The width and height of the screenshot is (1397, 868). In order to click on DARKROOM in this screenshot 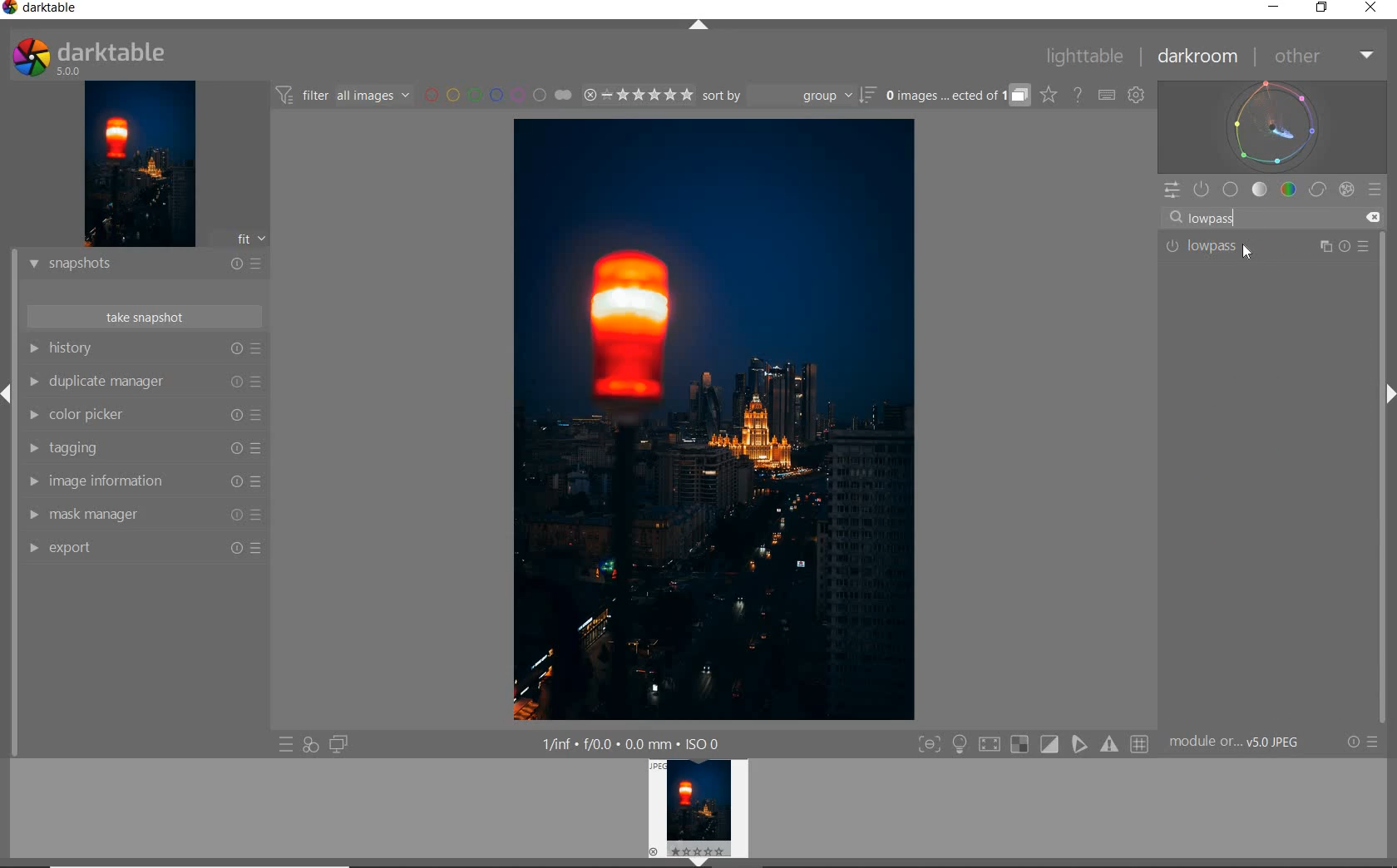, I will do `click(1201, 57)`.